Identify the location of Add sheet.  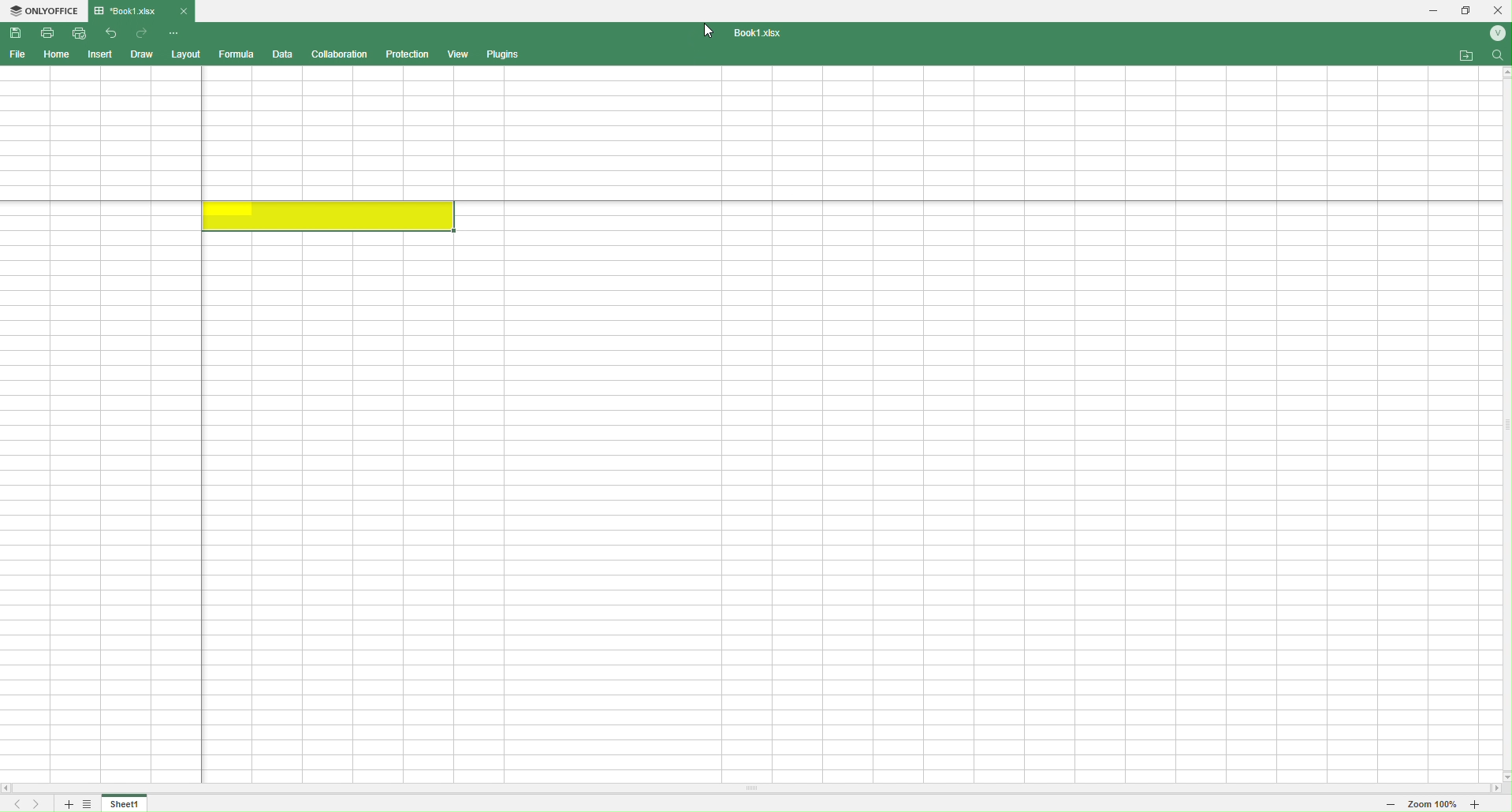
(66, 804).